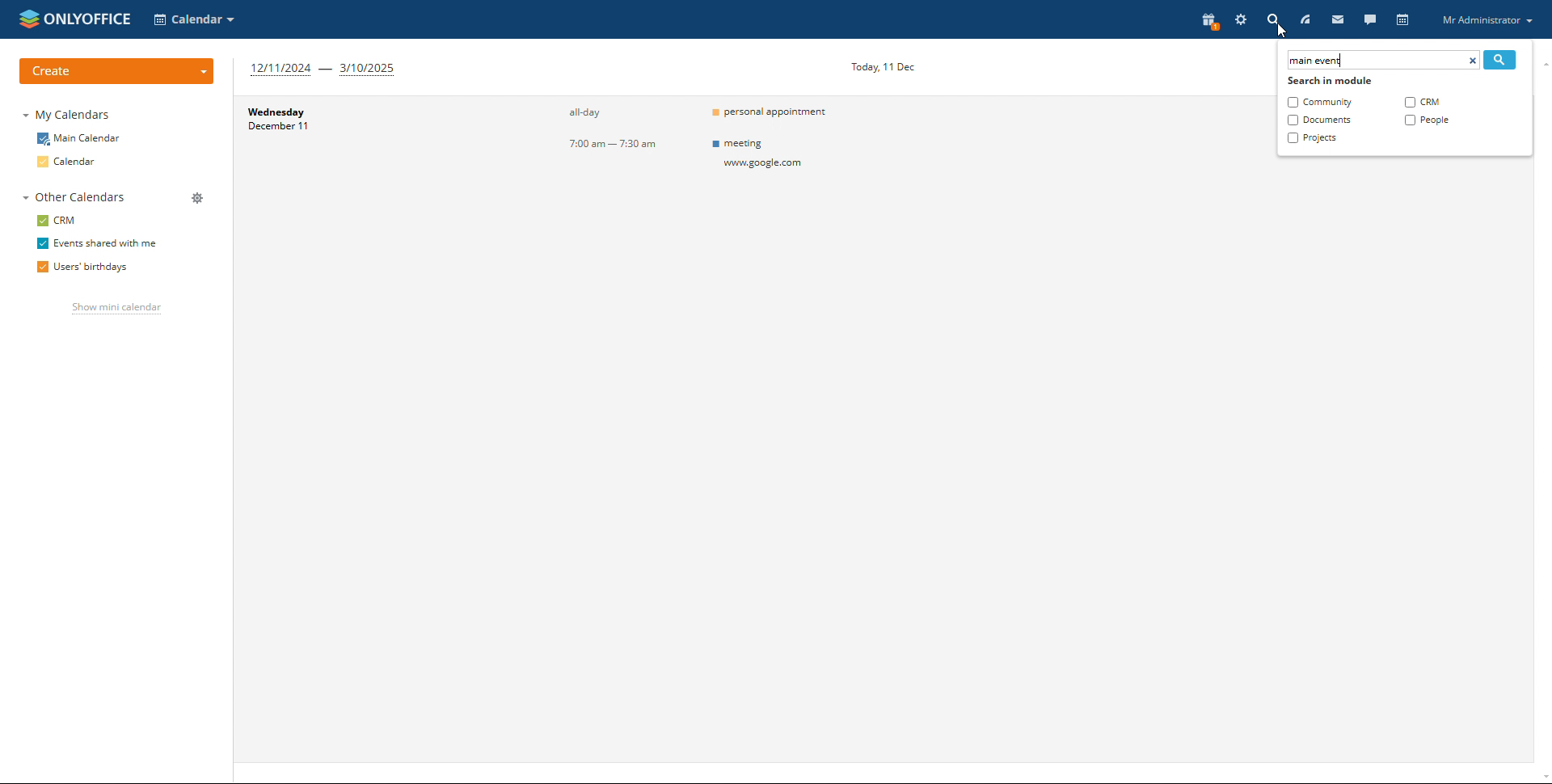  Describe the element at coordinates (1330, 82) in the screenshot. I see `search in module` at that location.